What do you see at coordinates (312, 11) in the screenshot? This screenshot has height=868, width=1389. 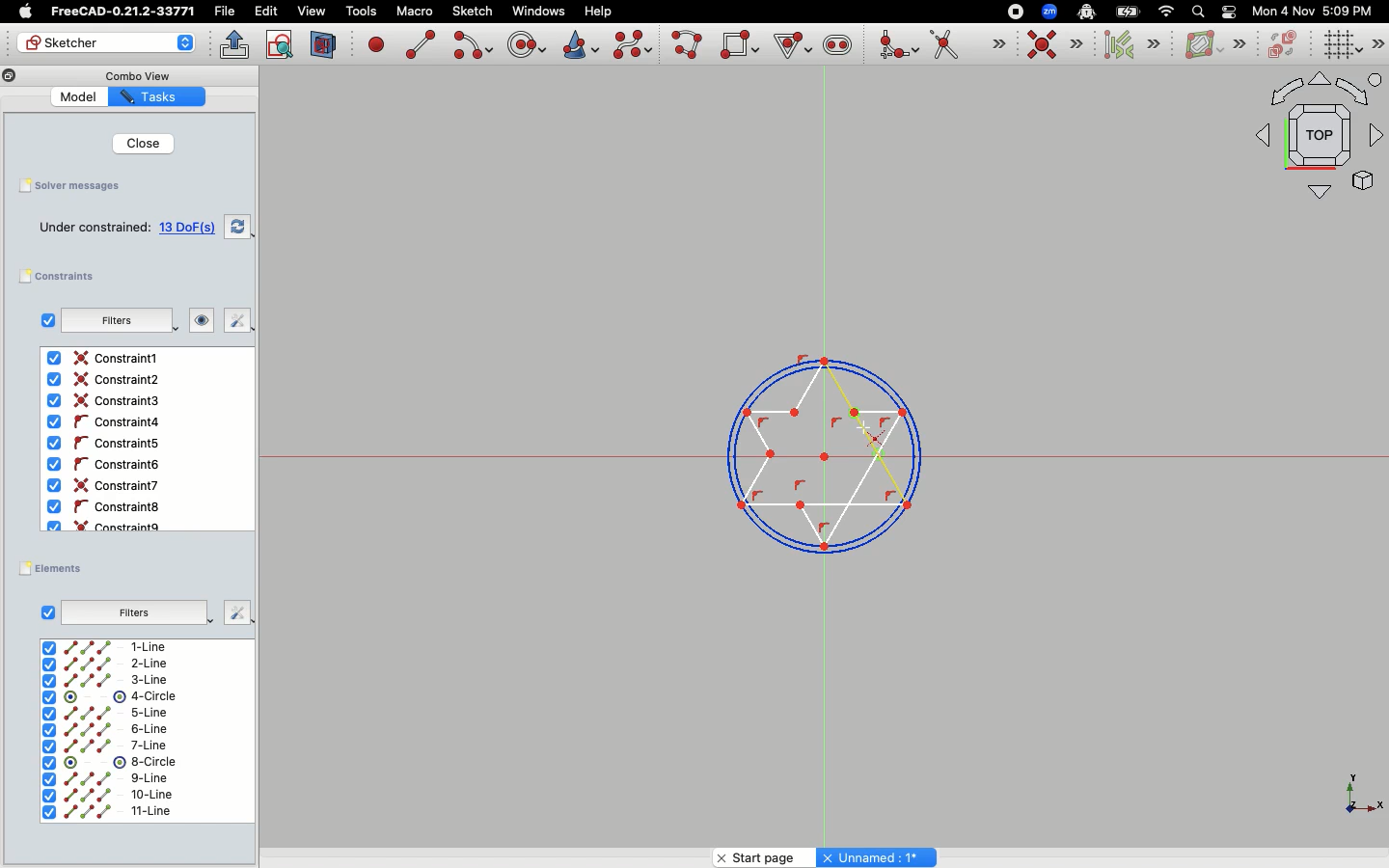 I see `view` at bounding box center [312, 11].